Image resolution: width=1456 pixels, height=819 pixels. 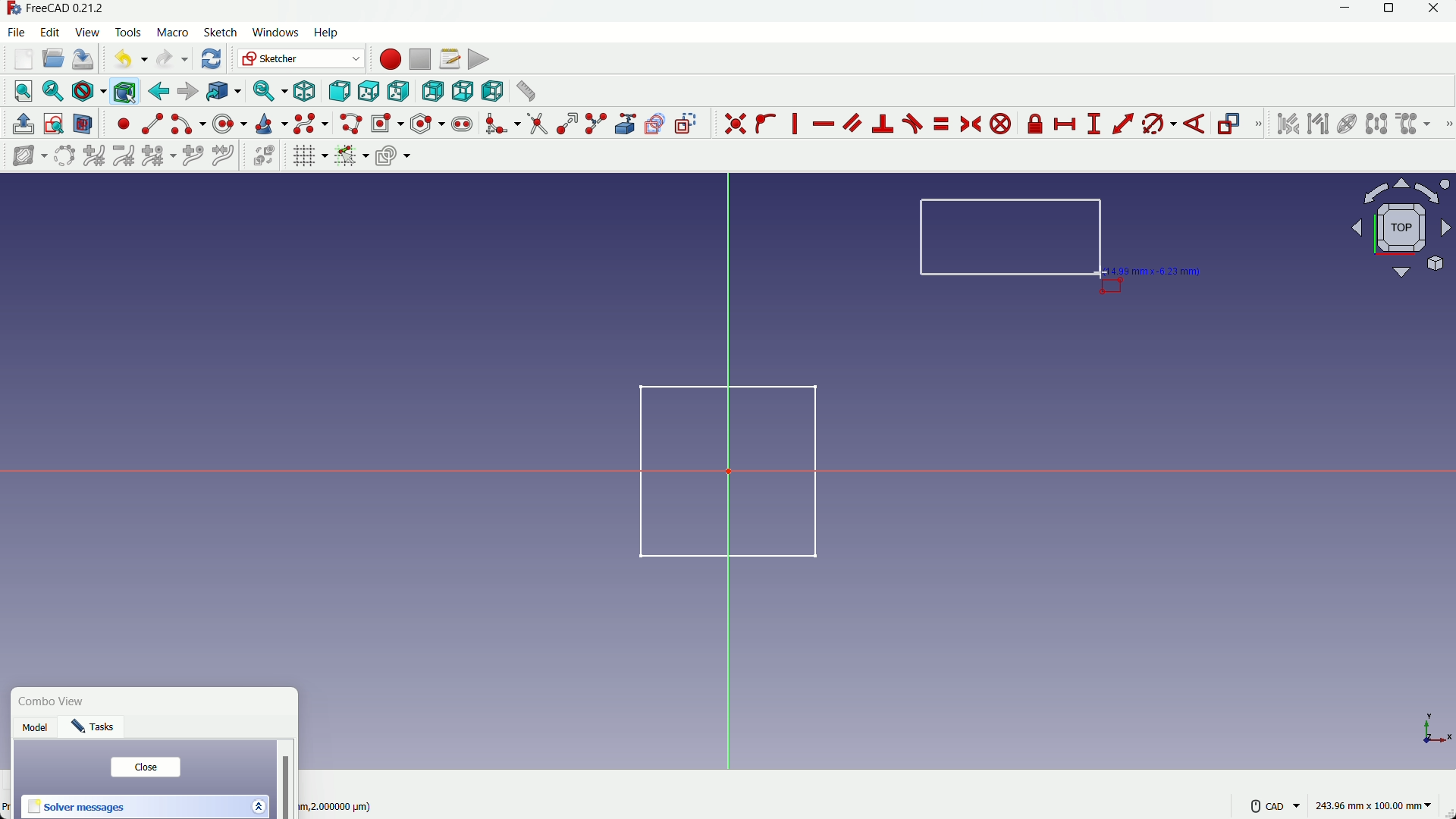 What do you see at coordinates (479, 59) in the screenshot?
I see `execute macros` at bounding box center [479, 59].